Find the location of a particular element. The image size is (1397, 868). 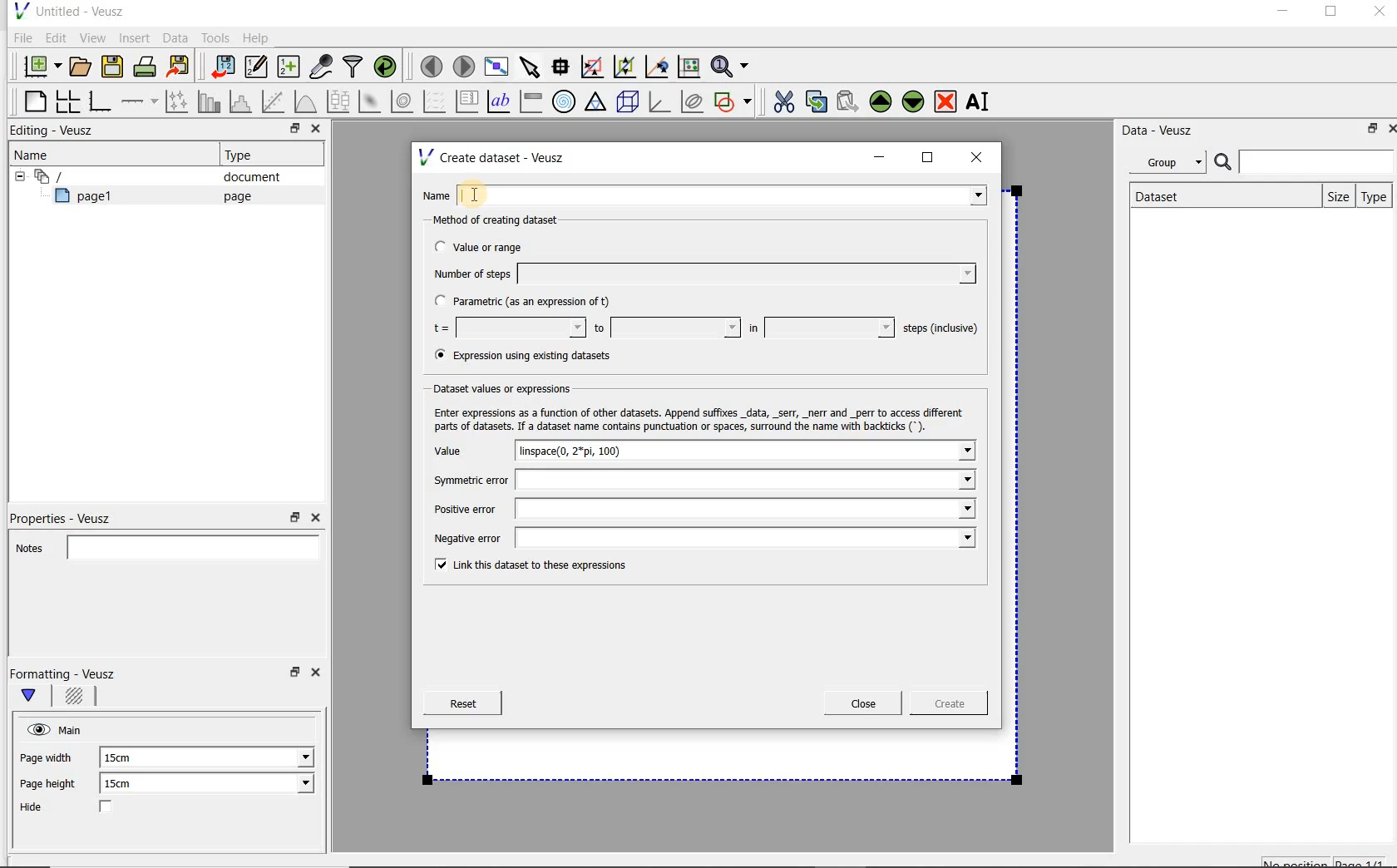

Cursor is located at coordinates (495, 191).